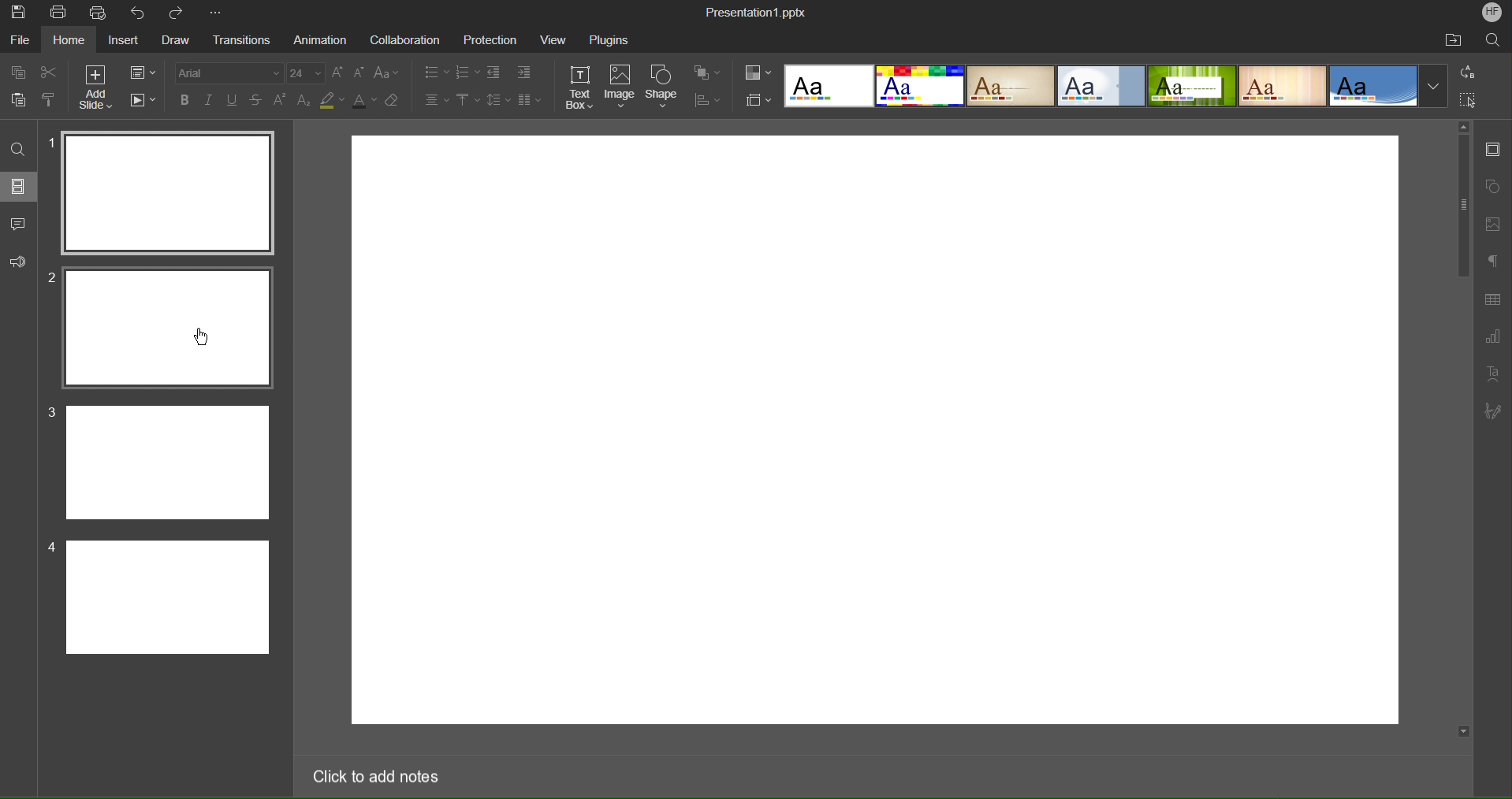 The image size is (1512, 799). What do you see at coordinates (175, 41) in the screenshot?
I see `Draw` at bounding box center [175, 41].